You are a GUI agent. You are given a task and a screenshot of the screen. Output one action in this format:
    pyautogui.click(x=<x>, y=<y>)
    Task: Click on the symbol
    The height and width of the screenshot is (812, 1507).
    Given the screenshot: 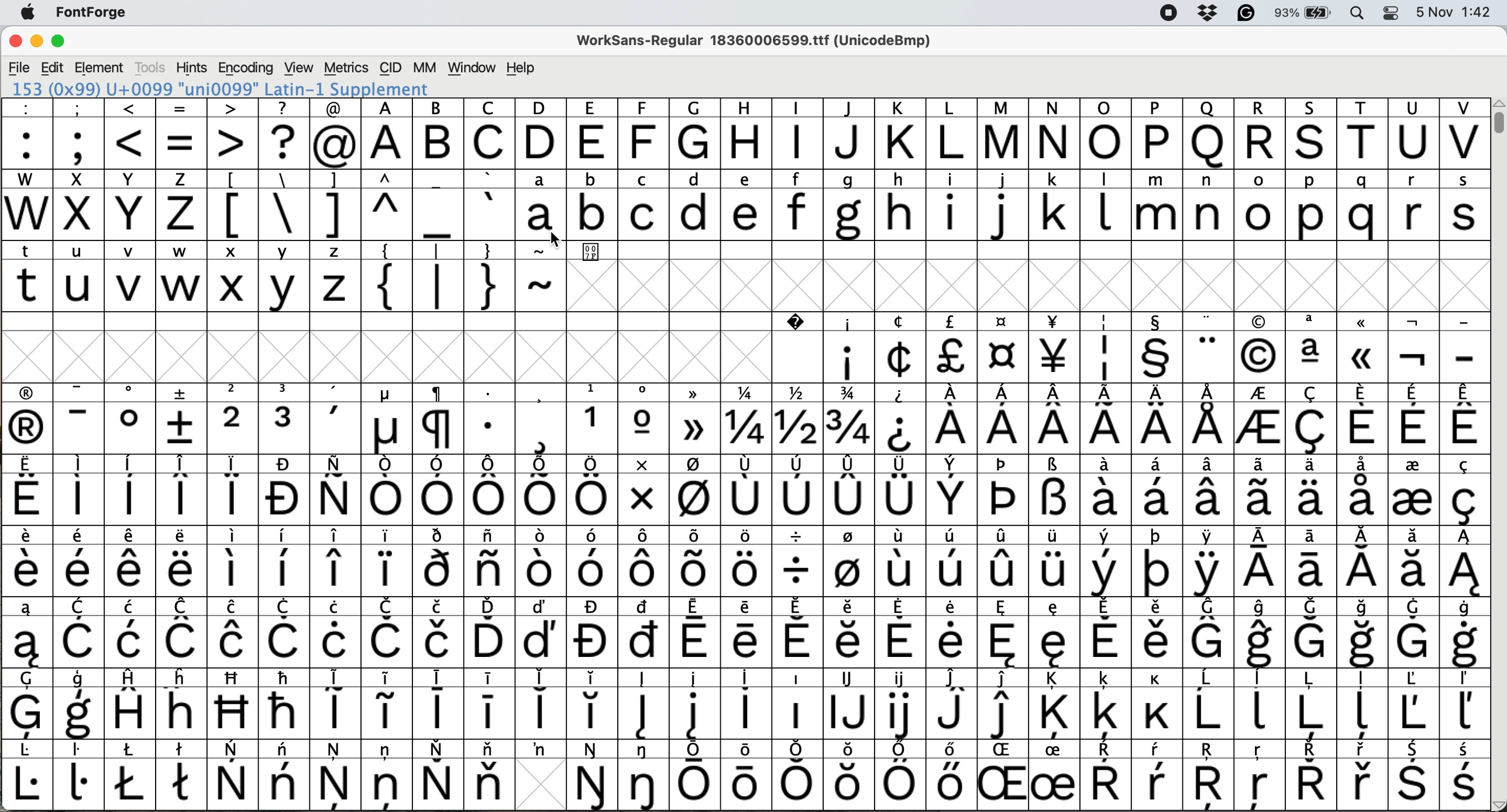 What is the action you would take?
    pyautogui.click(x=696, y=490)
    